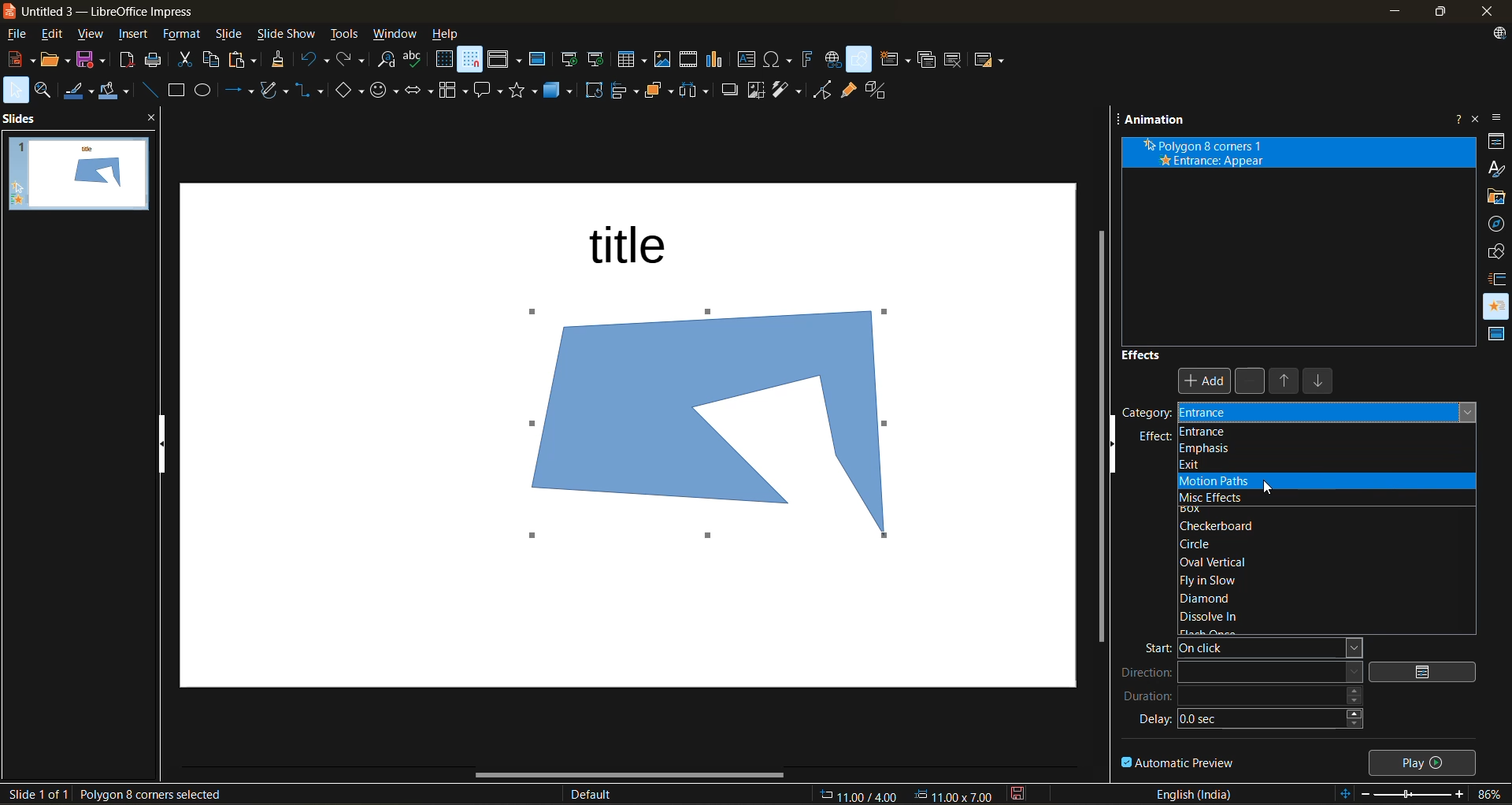 The image size is (1512, 805). I want to click on minimize, so click(1392, 13).